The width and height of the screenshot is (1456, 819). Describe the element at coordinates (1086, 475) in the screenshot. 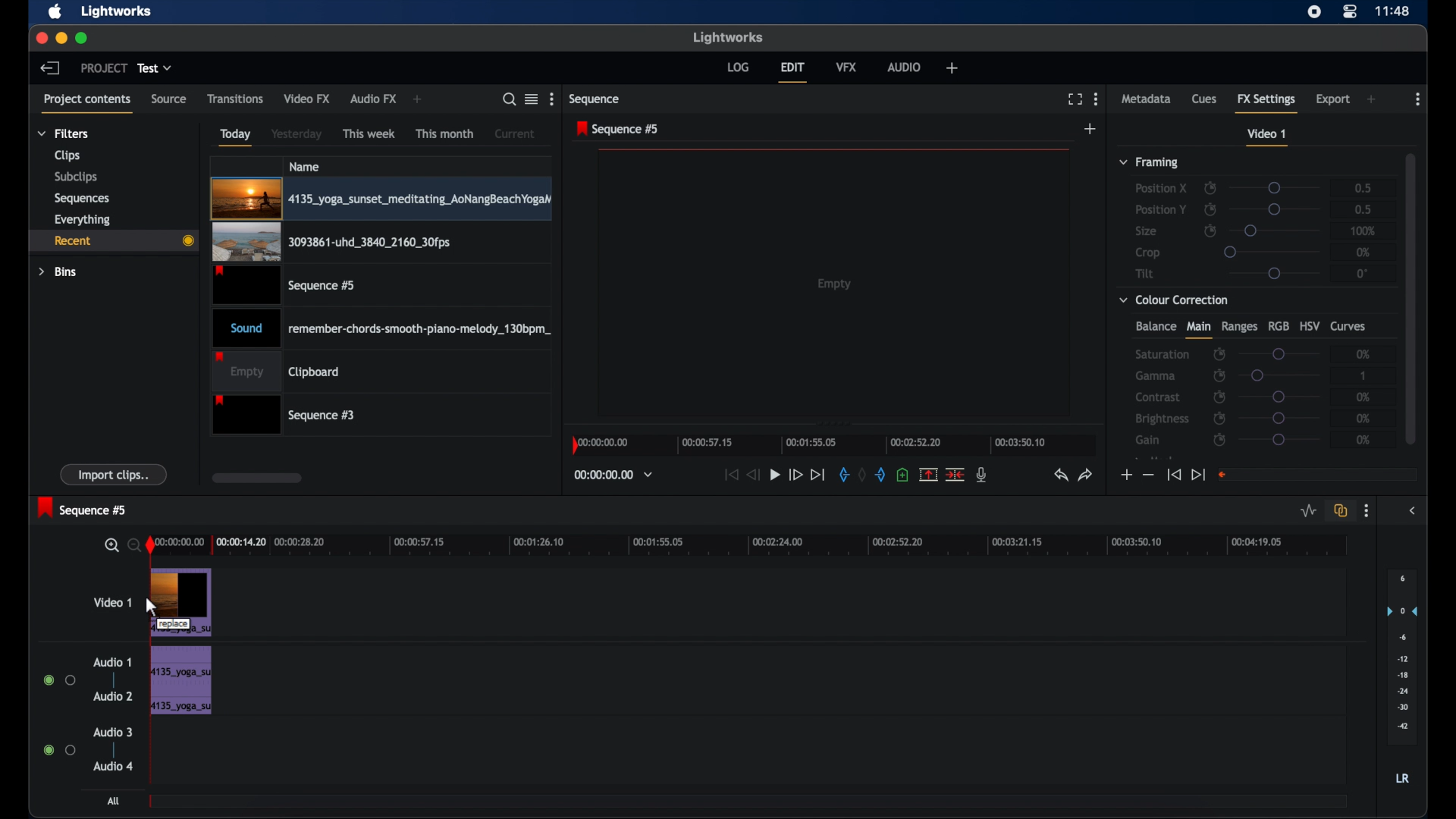

I see `redo` at that location.